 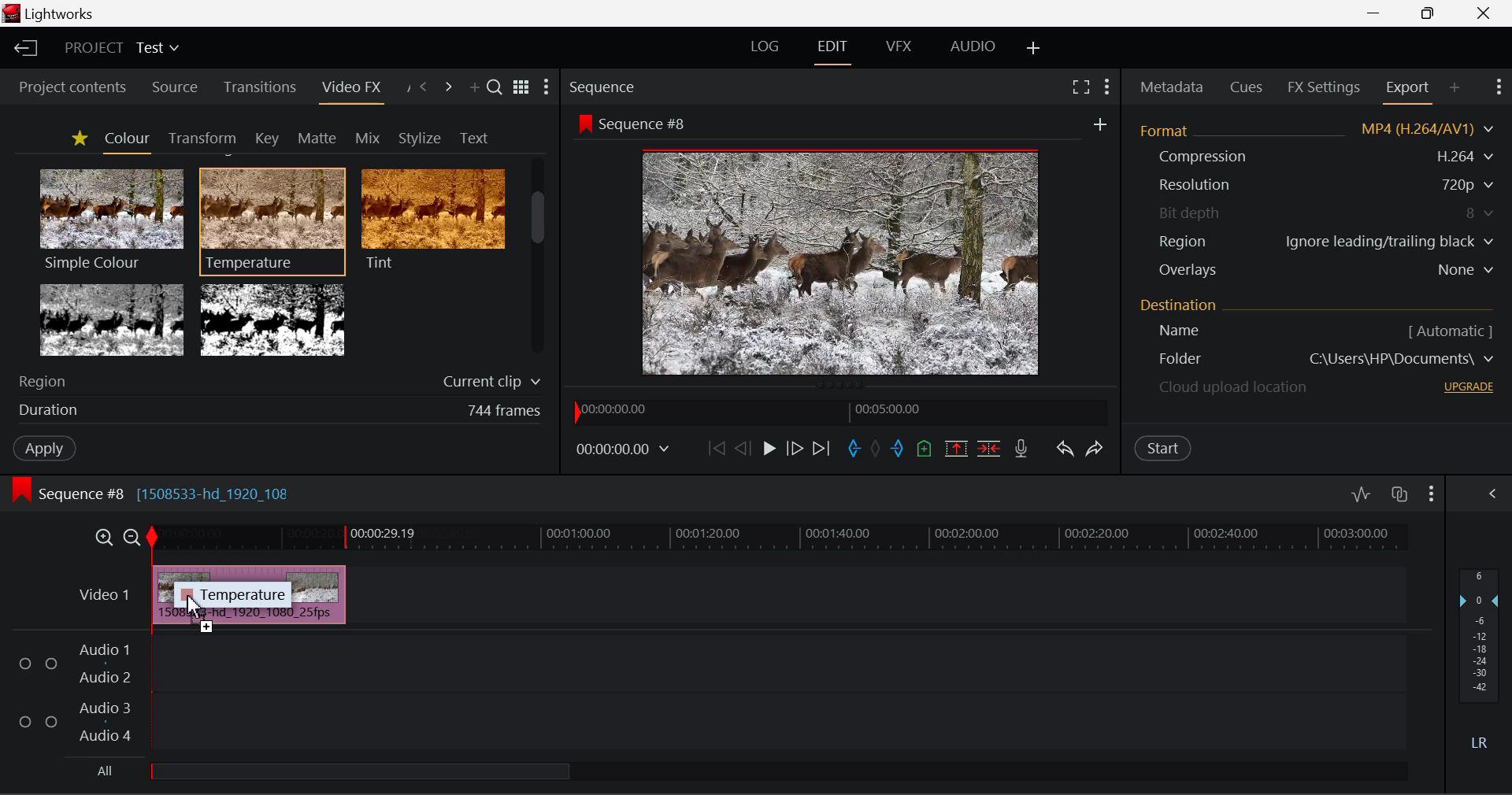 I want to click on Close, so click(x=1484, y=12).